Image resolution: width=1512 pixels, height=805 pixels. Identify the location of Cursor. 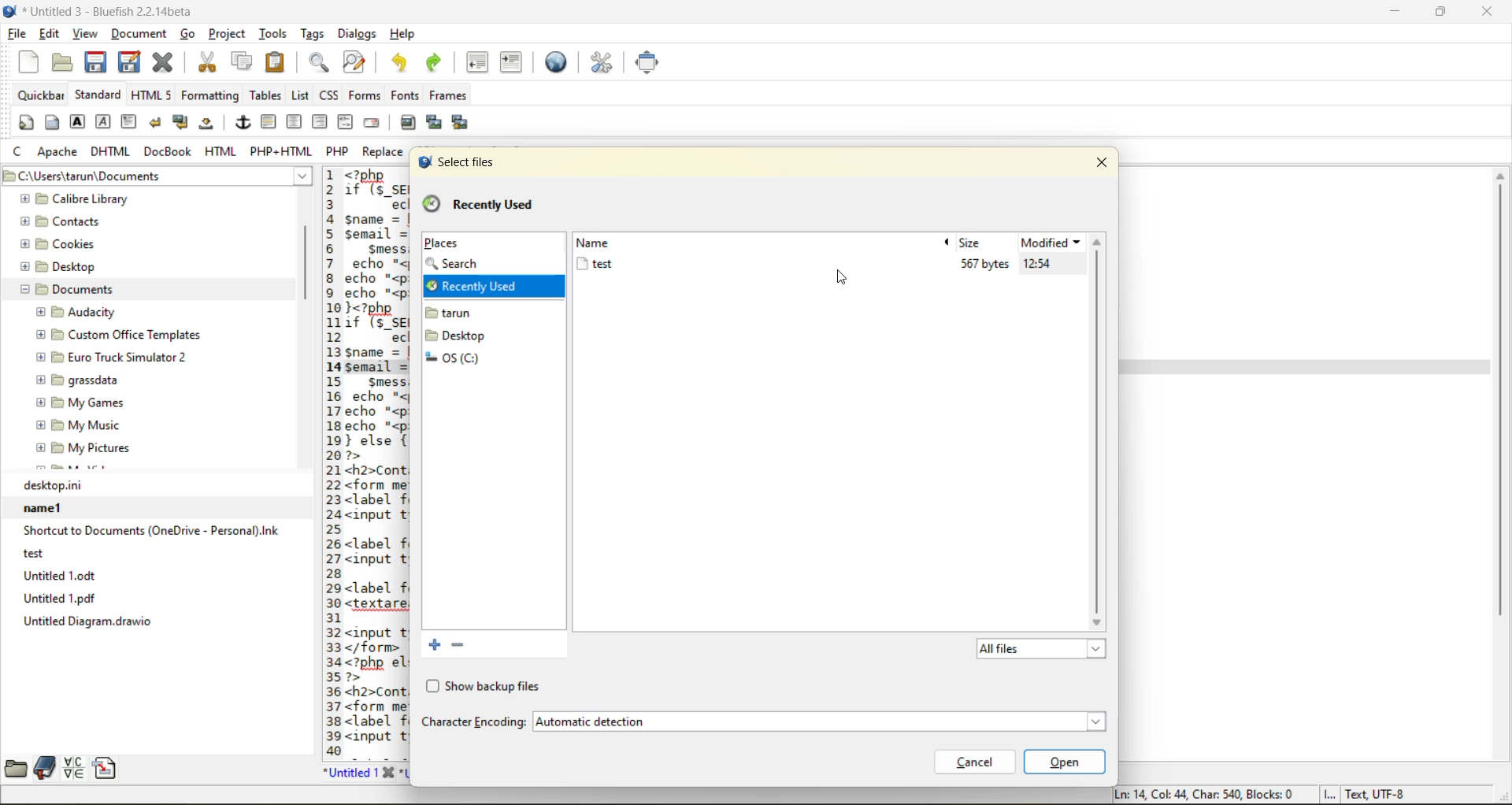
(841, 277).